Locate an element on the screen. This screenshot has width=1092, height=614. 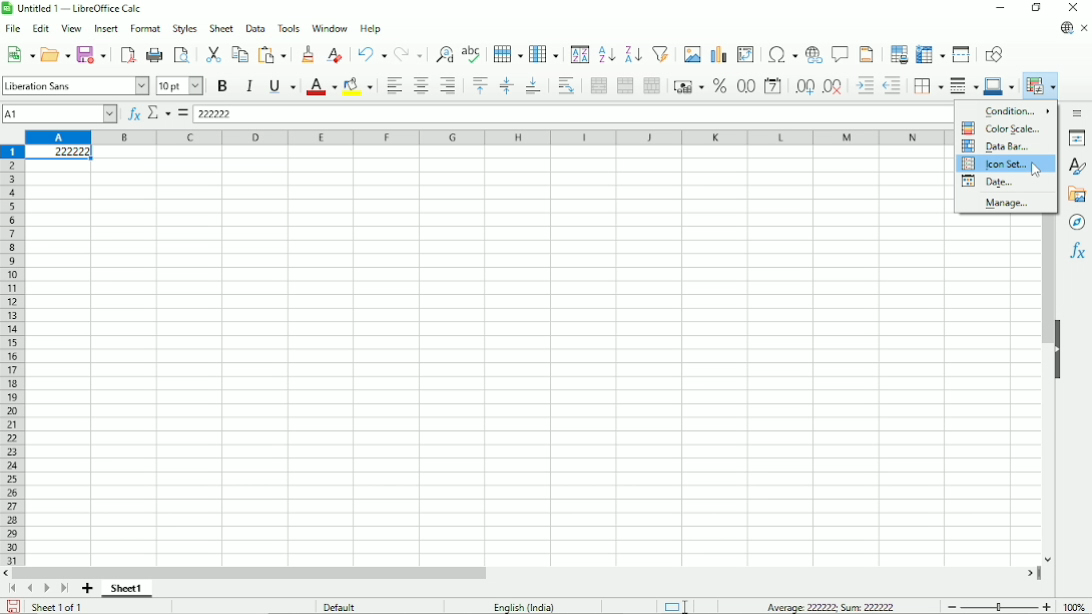
Add decimal place is located at coordinates (803, 87).